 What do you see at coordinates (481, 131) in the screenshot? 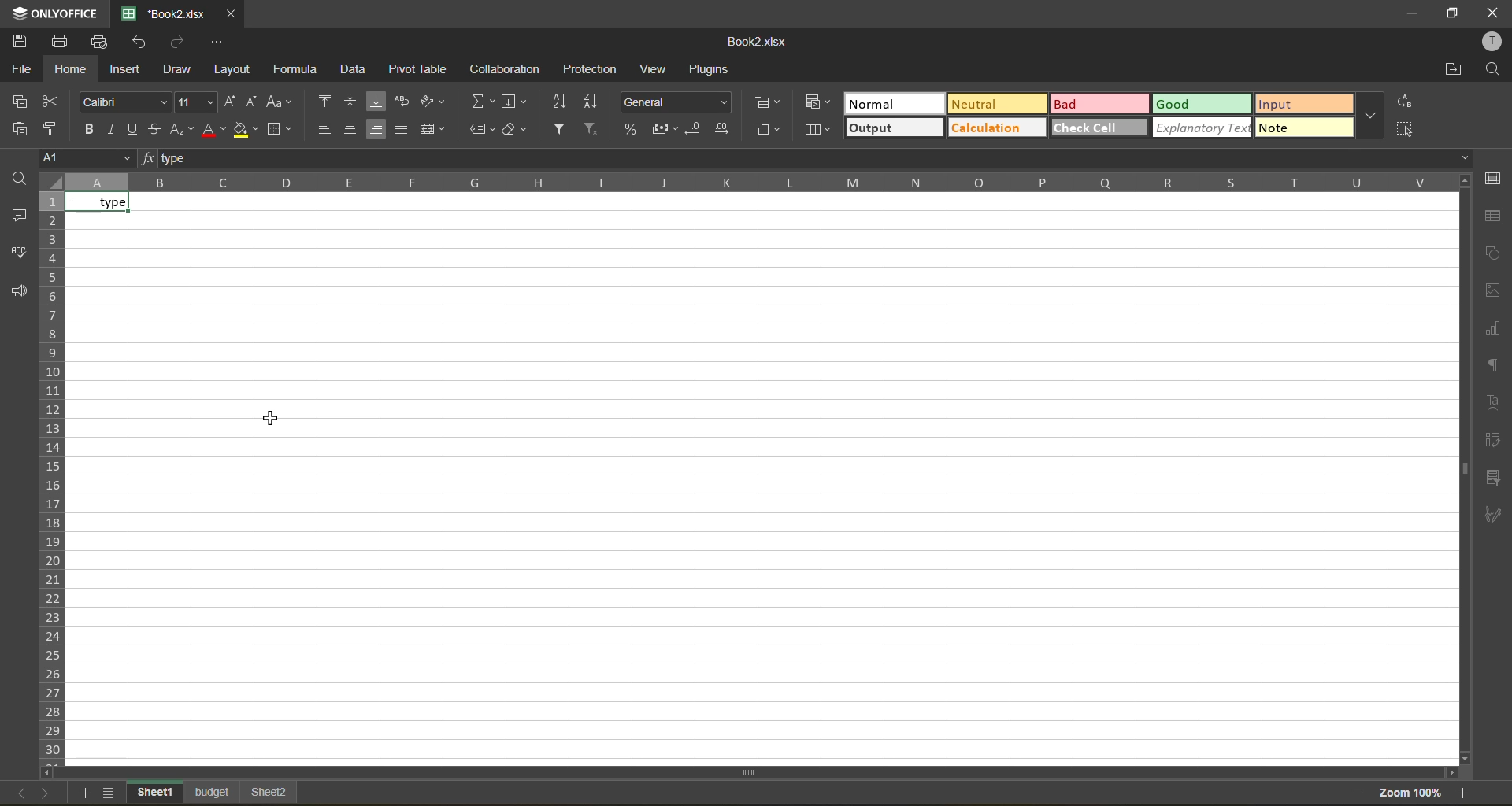
I see `named ranges` at bounding box center [481, 131].